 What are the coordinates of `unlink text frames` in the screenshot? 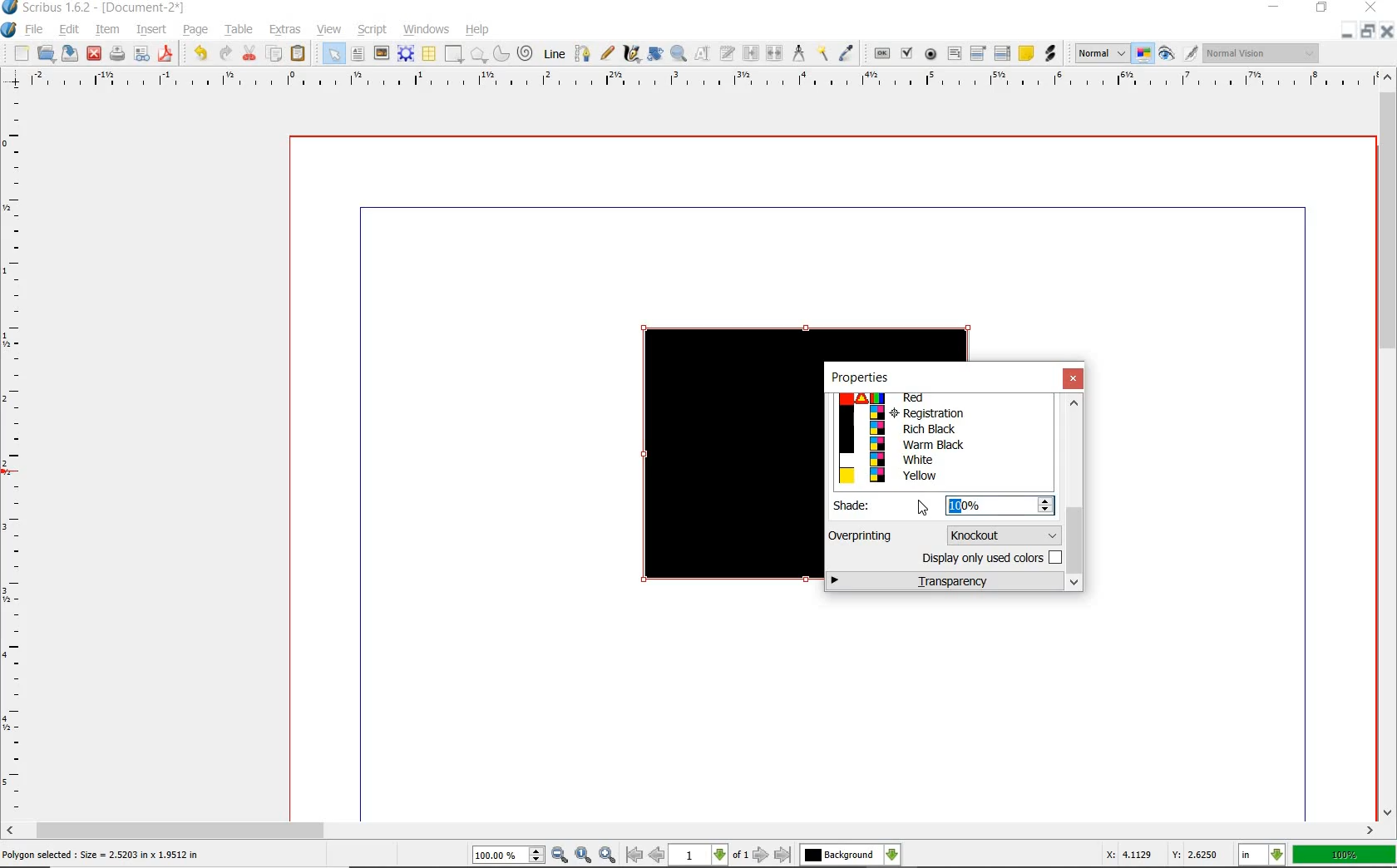 It's located at (775, 55).